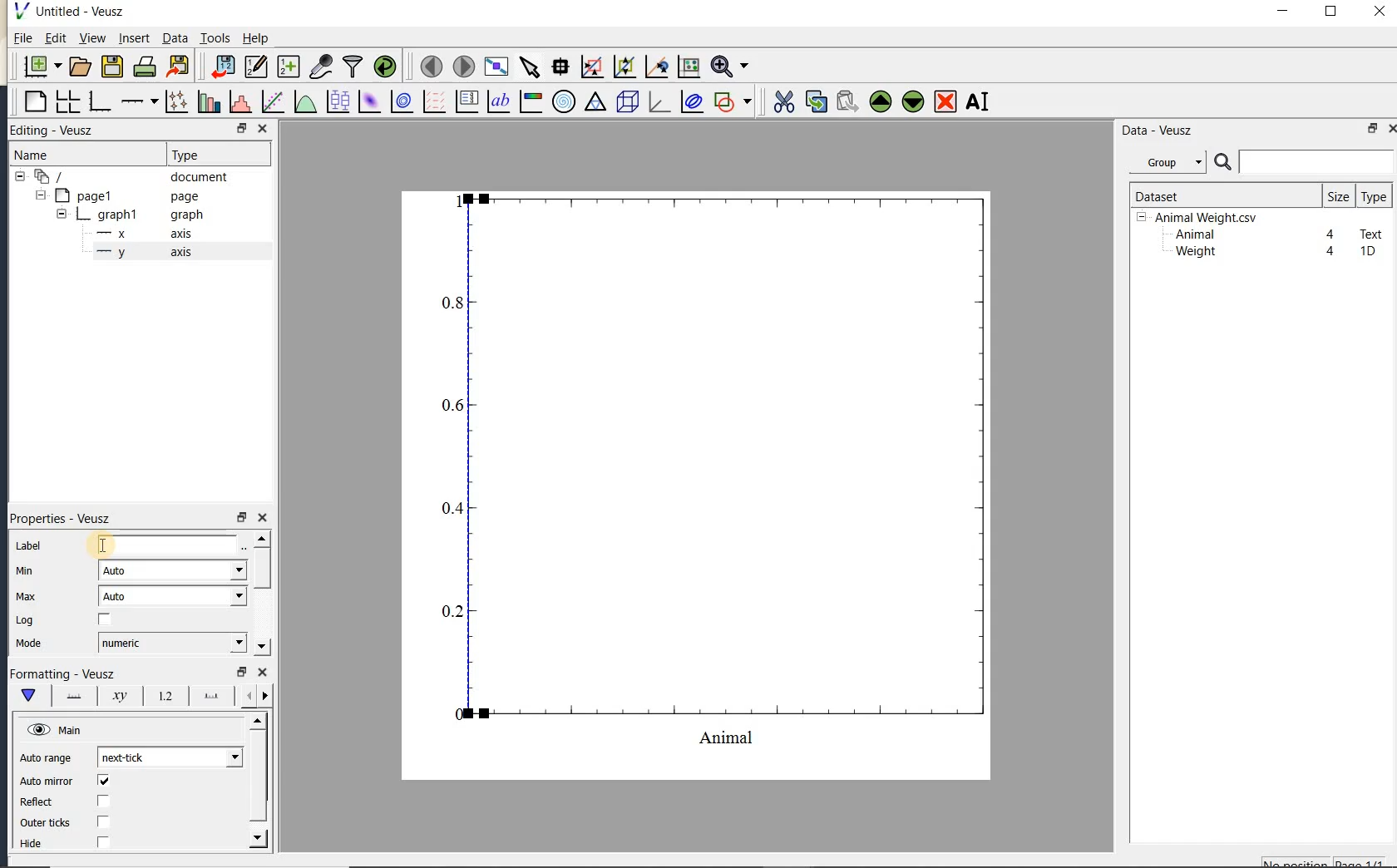 The height and width of the screenshot is (868, 1397). I want to click on Untitled-Veusz, so click(74, 12).